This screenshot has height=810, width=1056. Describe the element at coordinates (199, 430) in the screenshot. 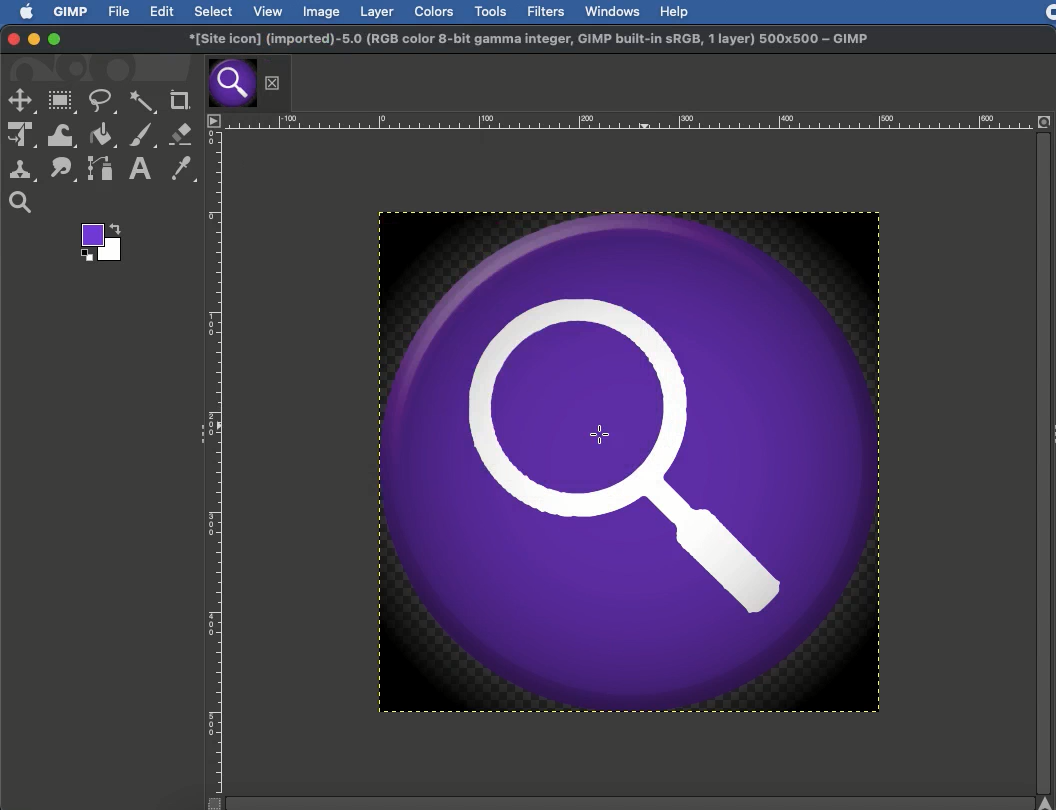

I see `Collapse` at that location.